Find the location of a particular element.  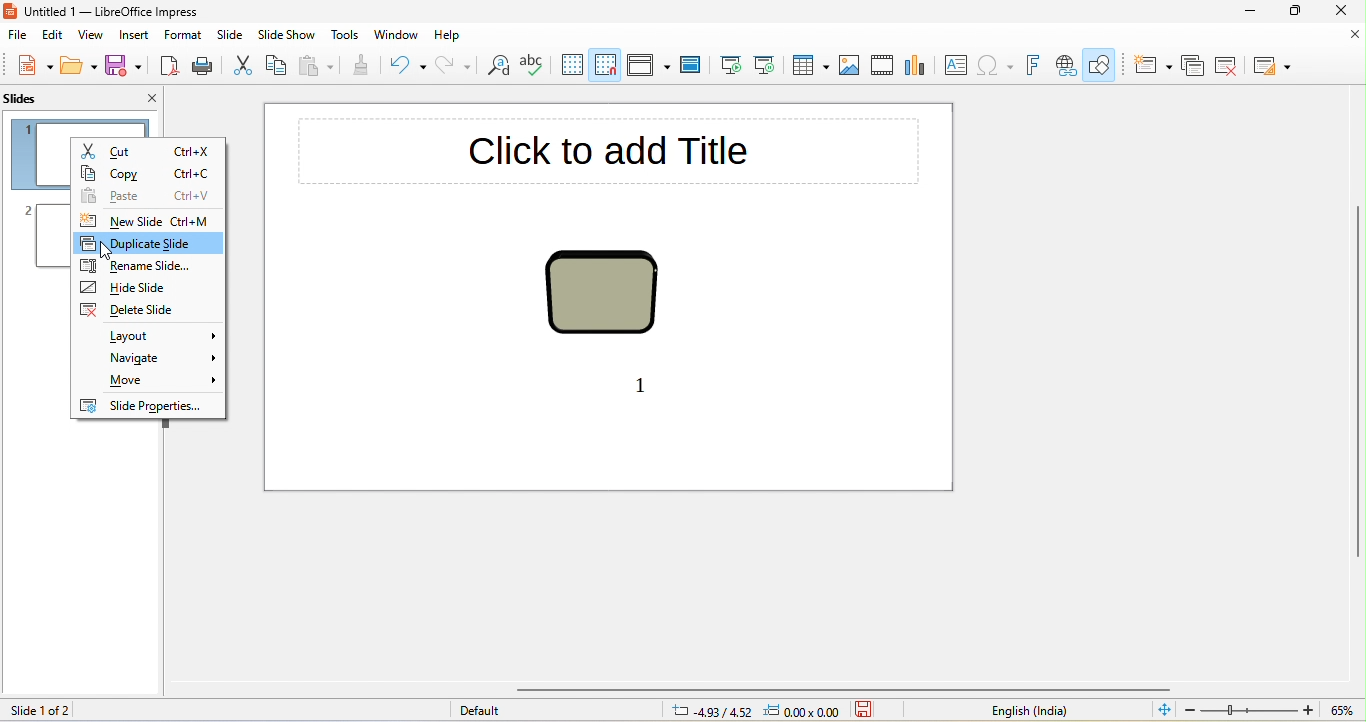

horizontal scroll bar is located at coordinates (845, 690).